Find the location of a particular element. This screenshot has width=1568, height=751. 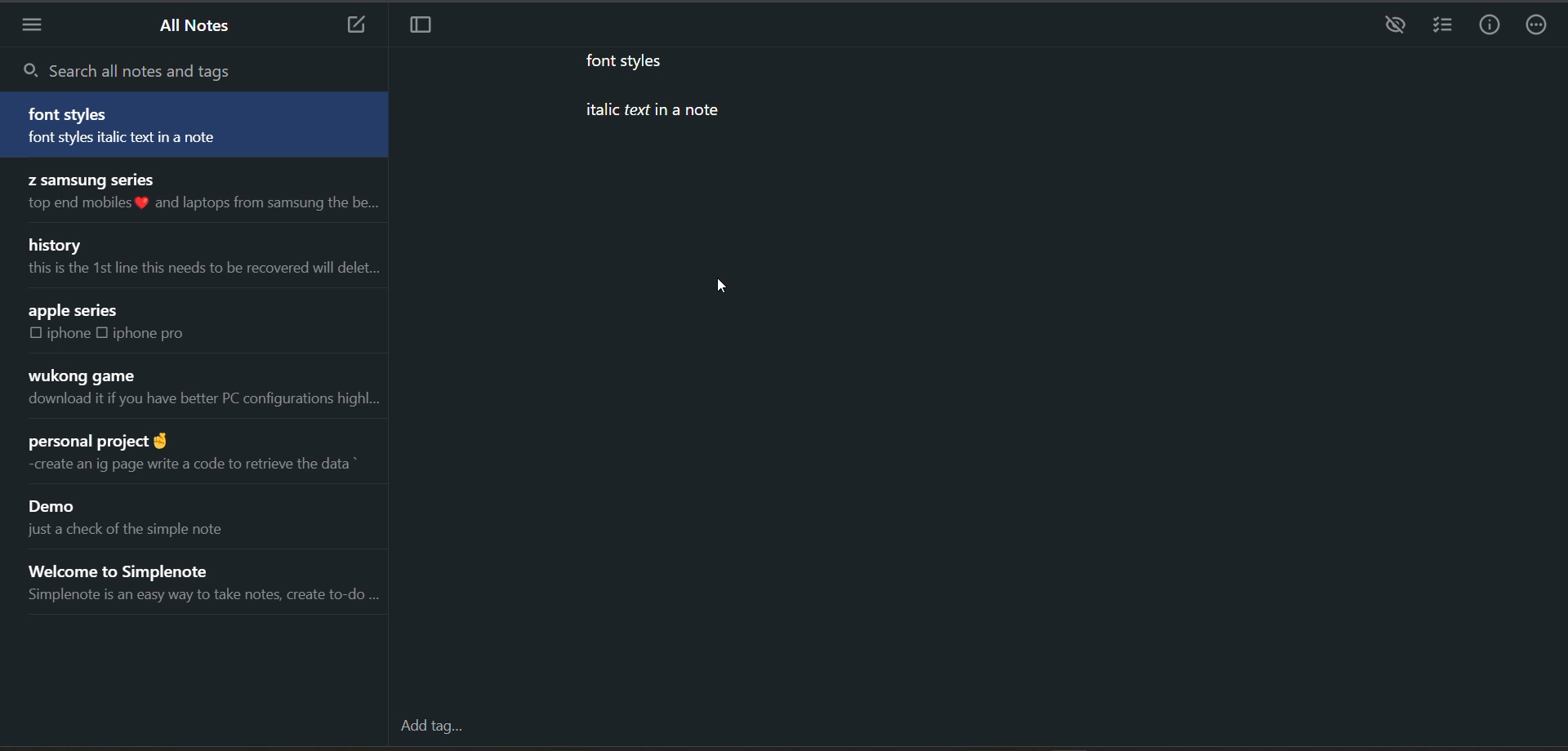

note title and preview is located at coordinates (203, 259).